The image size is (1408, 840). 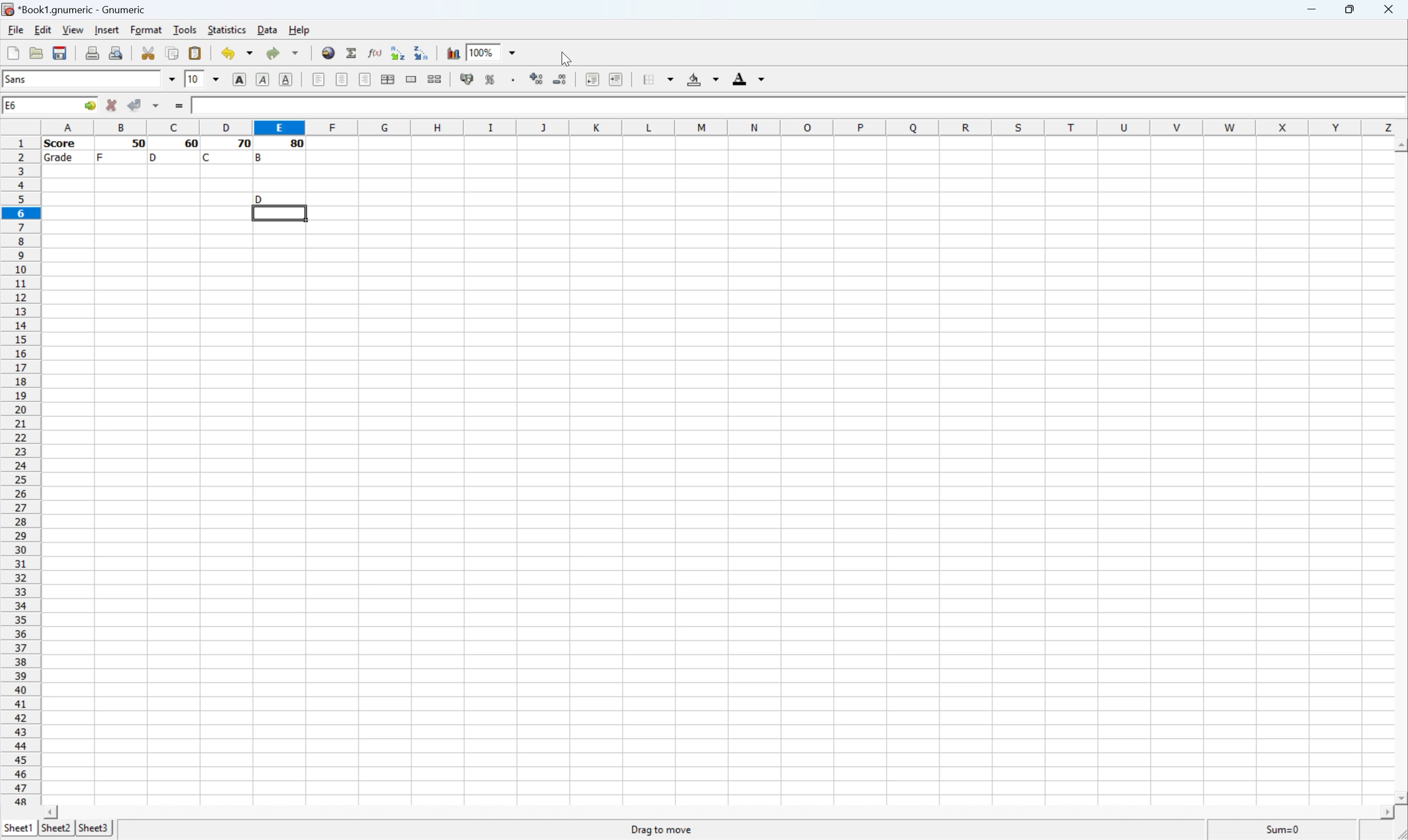 I want to click on Redo, so click(x=284, y=54).